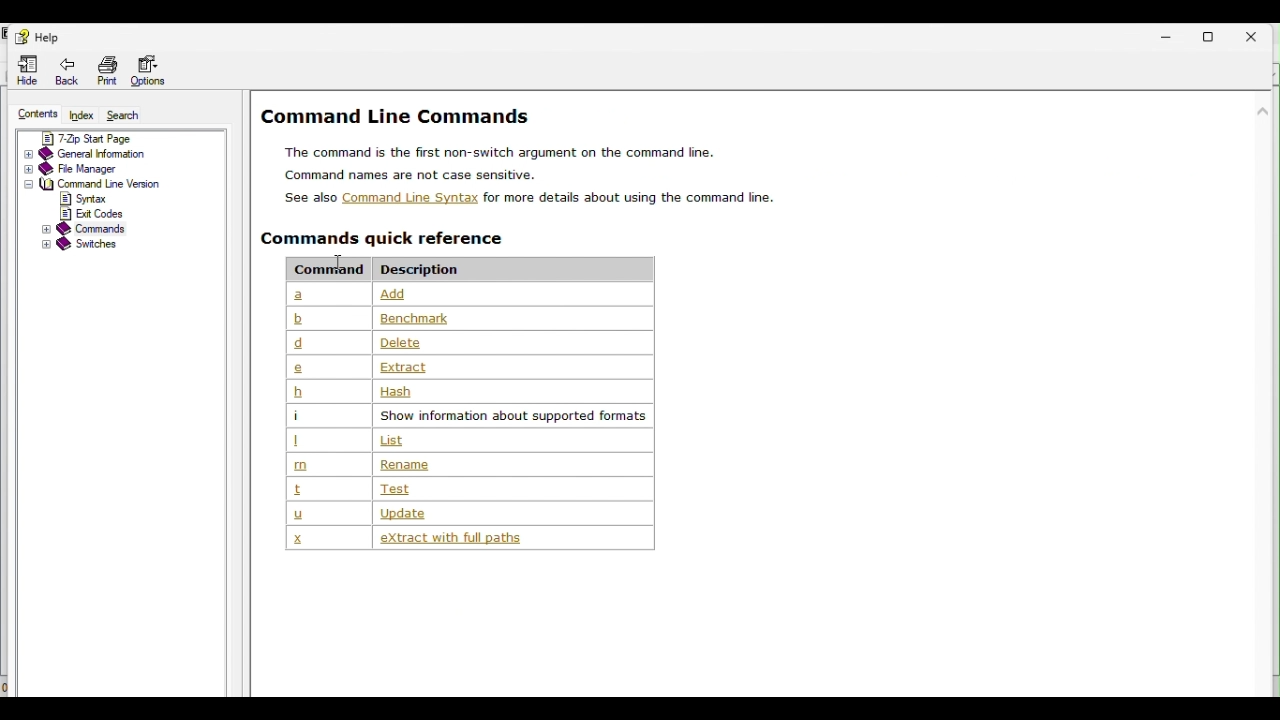 The image size is (1280, 720). Describe the element at coordinates (414, 175) in the screenshot. I see `text` at that location.